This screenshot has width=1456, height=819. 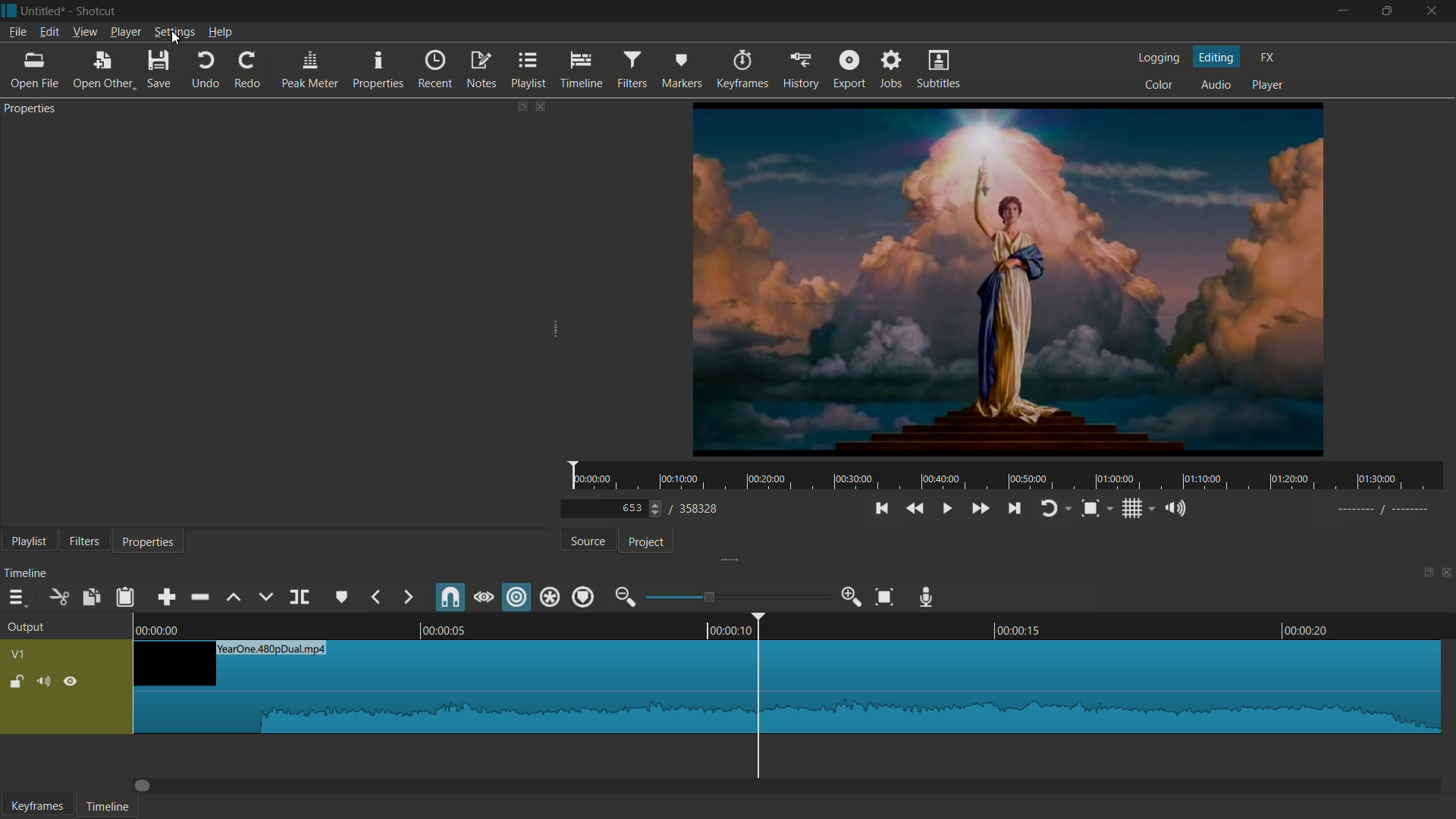 I want to click on view menu, so click(x=85, y=33).